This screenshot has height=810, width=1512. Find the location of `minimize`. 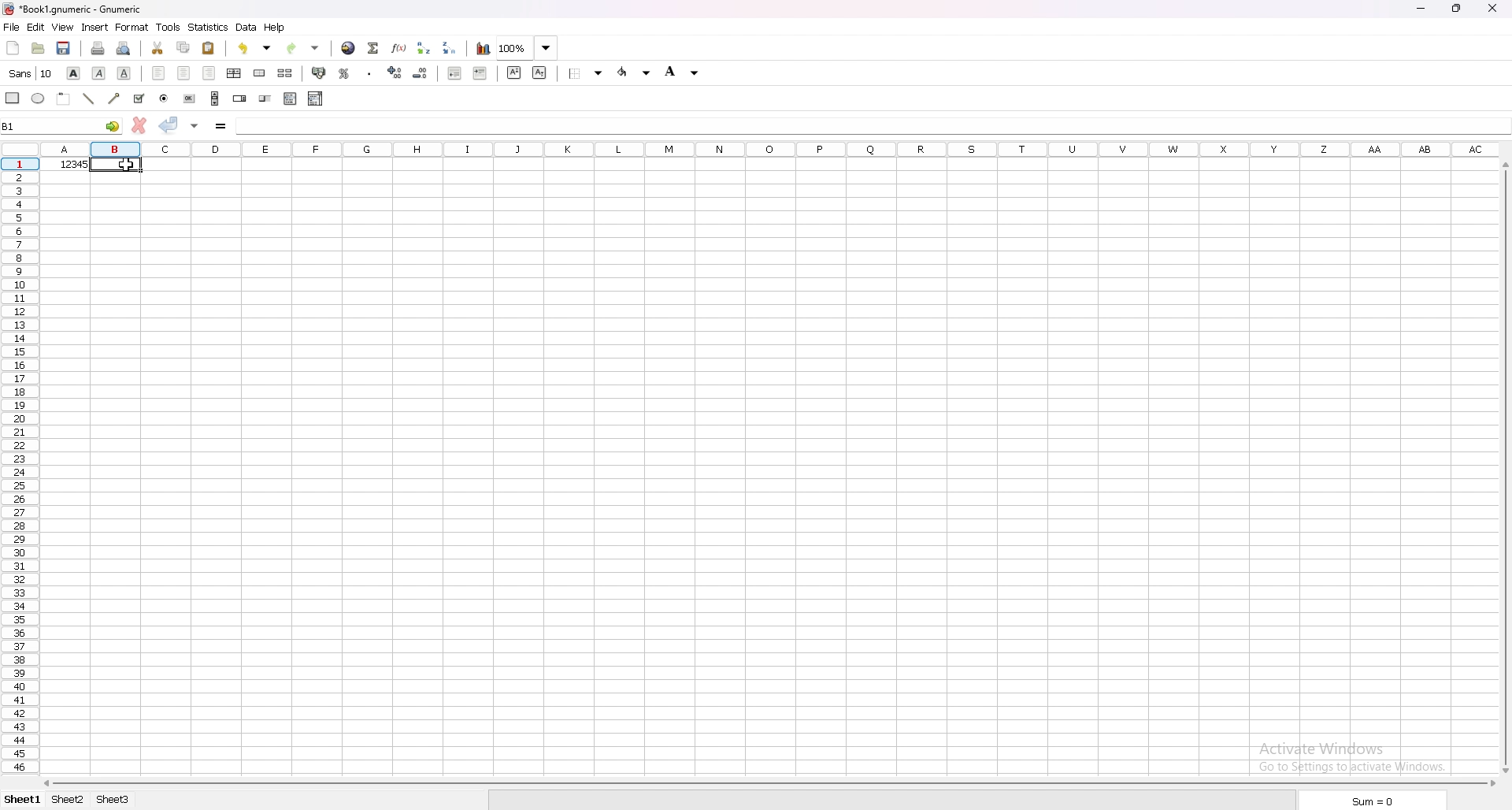

minimize is located at coordinates (1424, 7).